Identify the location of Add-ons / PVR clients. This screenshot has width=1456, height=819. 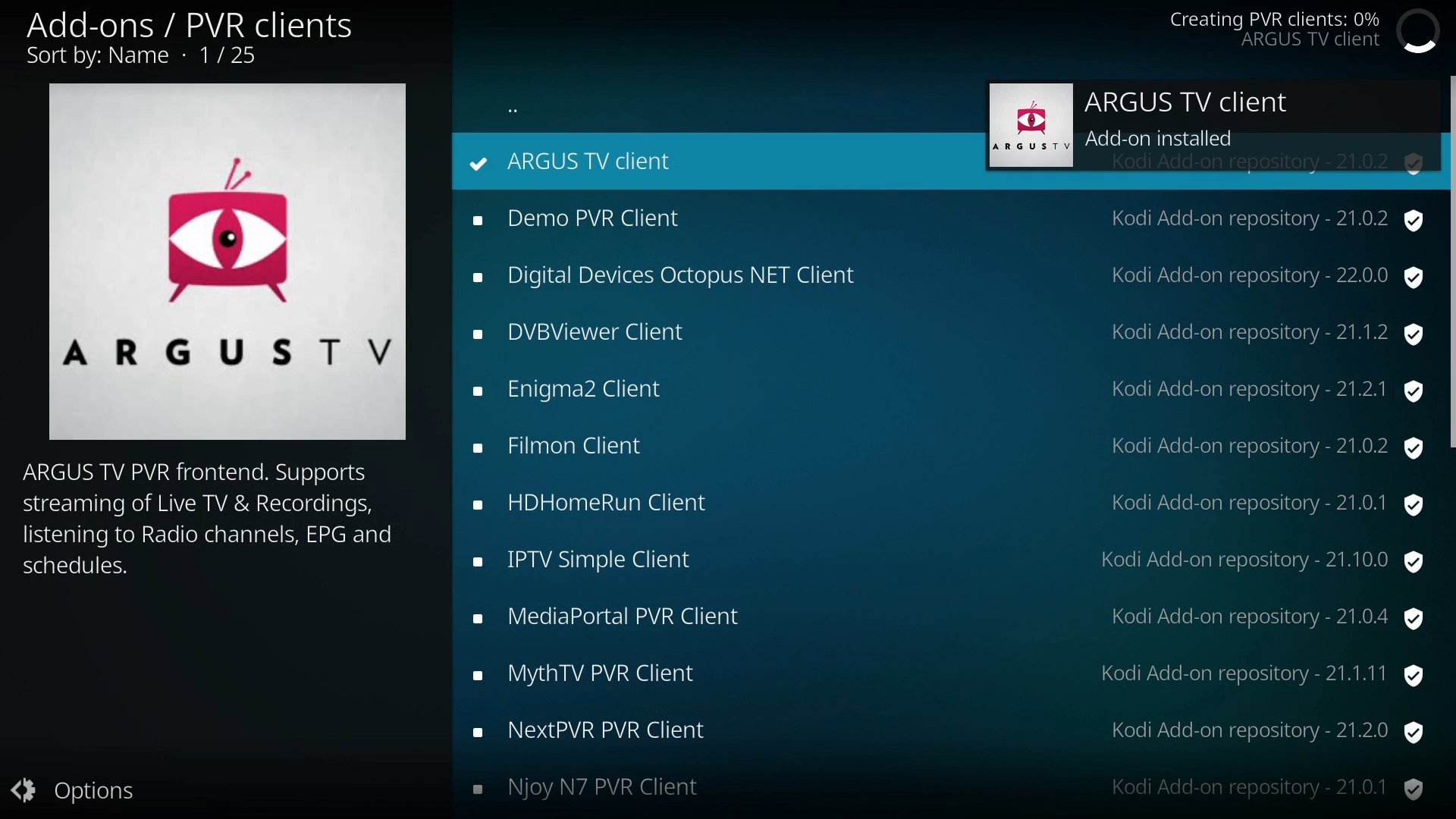
(183, 22).